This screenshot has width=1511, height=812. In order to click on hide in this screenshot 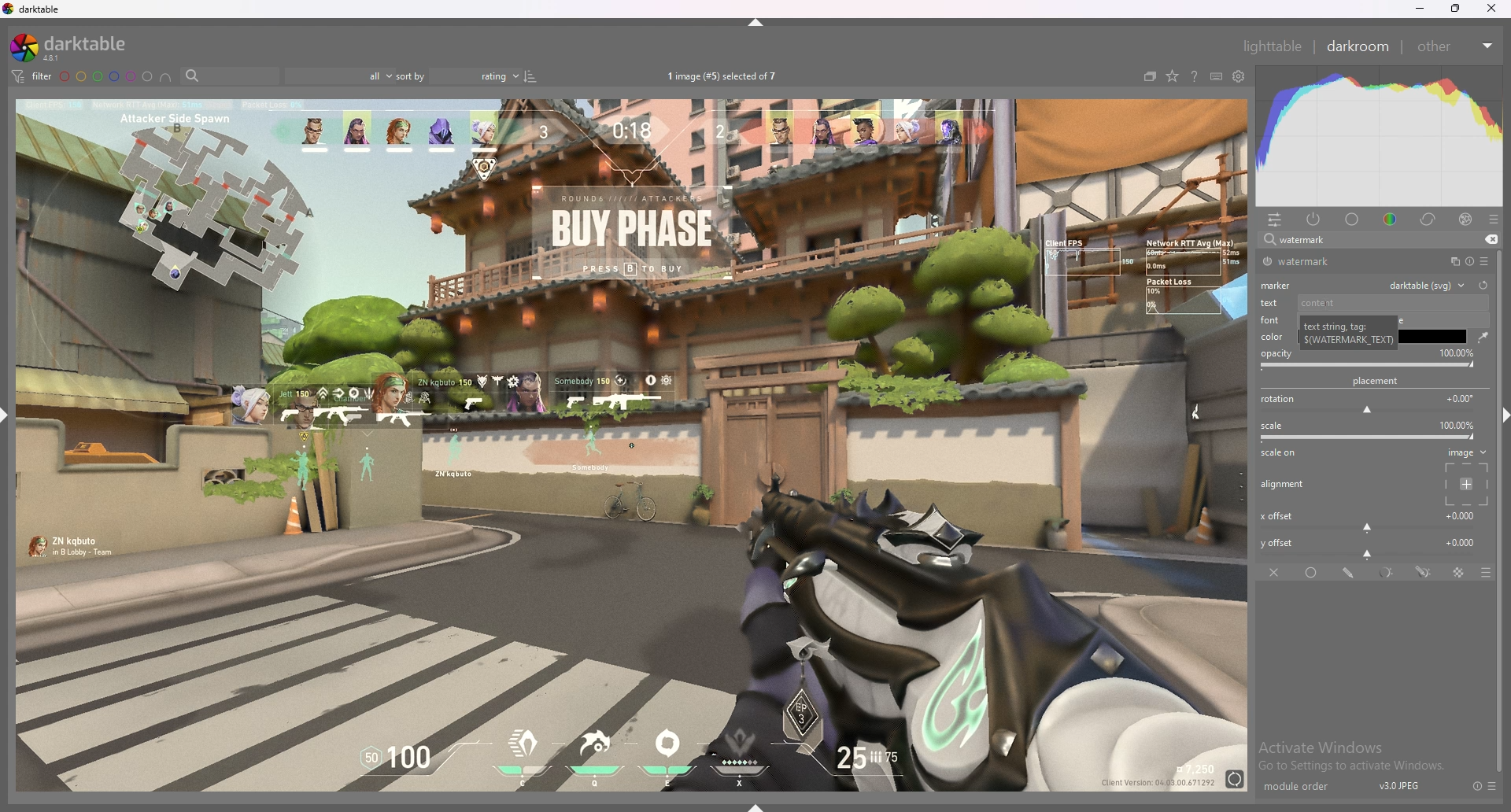, I will do `click(758, 22)`.